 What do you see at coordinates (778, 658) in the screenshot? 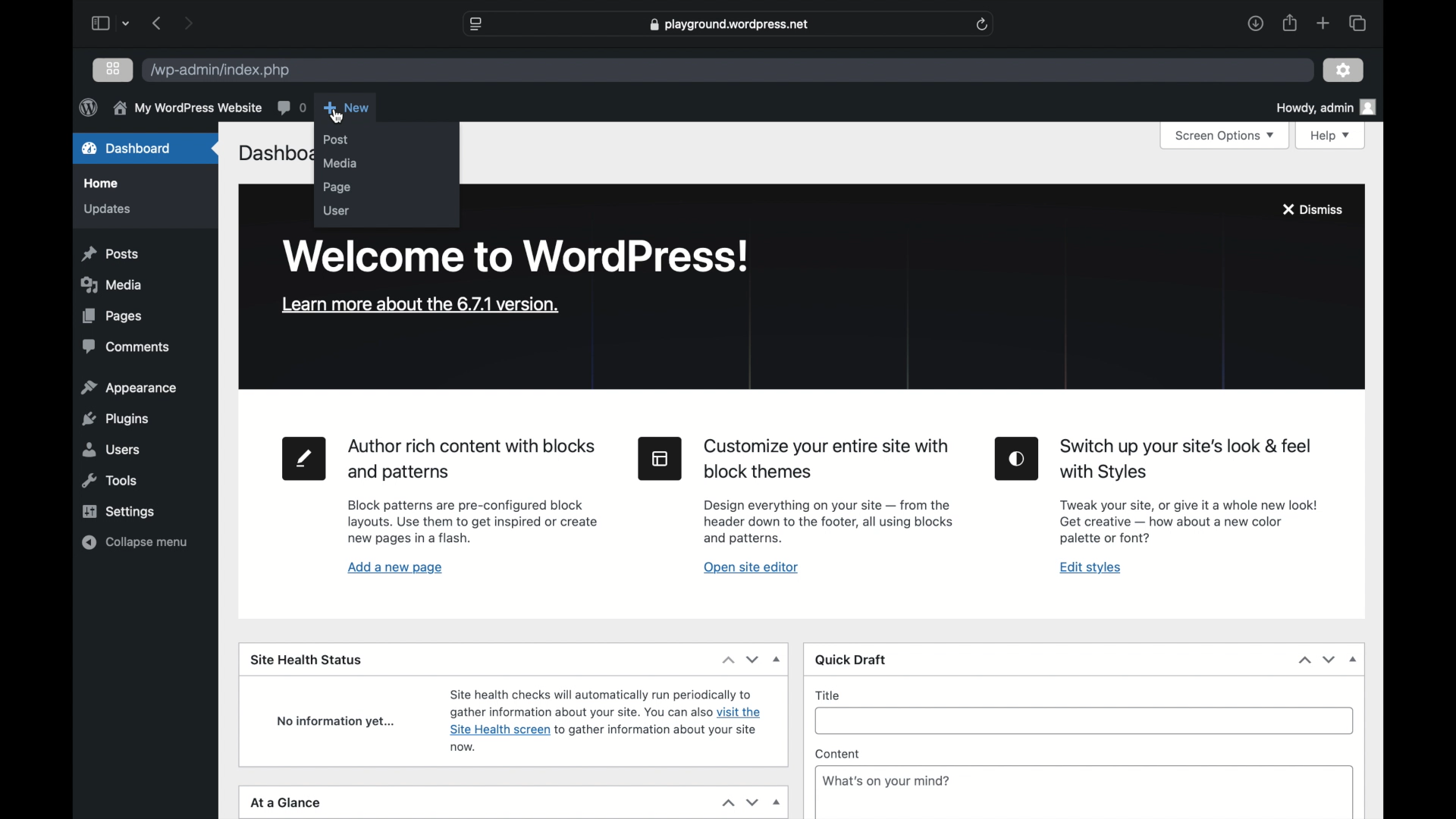
I see `dropdown` at bounding box center [778, 658].